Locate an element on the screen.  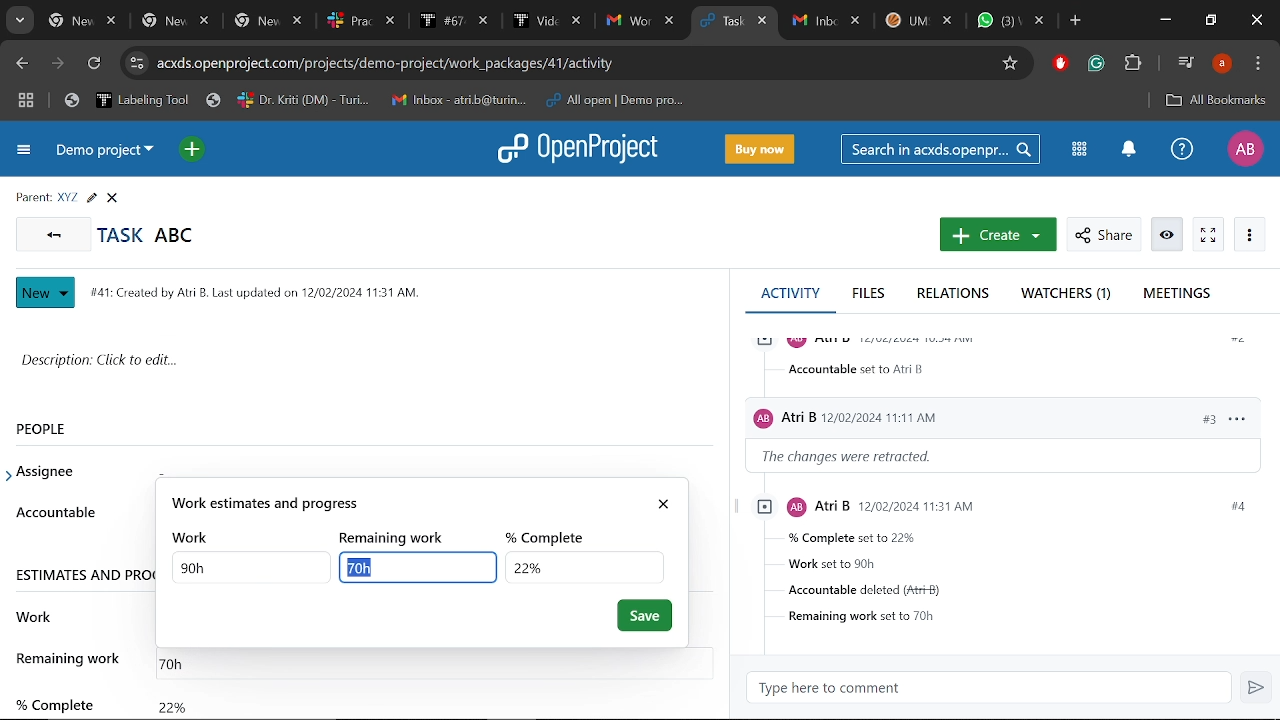
% complete is located at coordinates (53, 696).